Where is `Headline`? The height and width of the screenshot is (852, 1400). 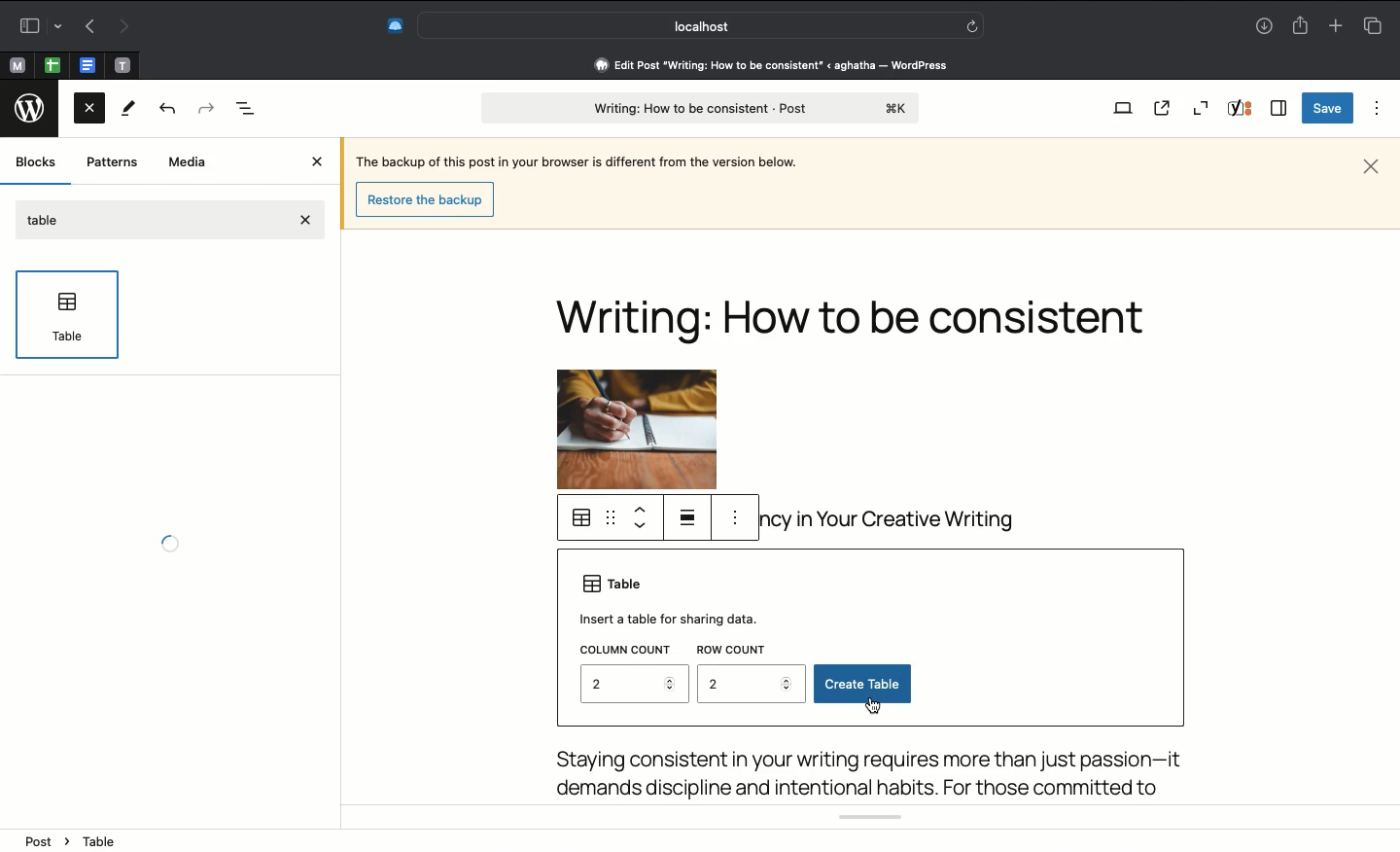
Headline is located at coordinates (858, 325).